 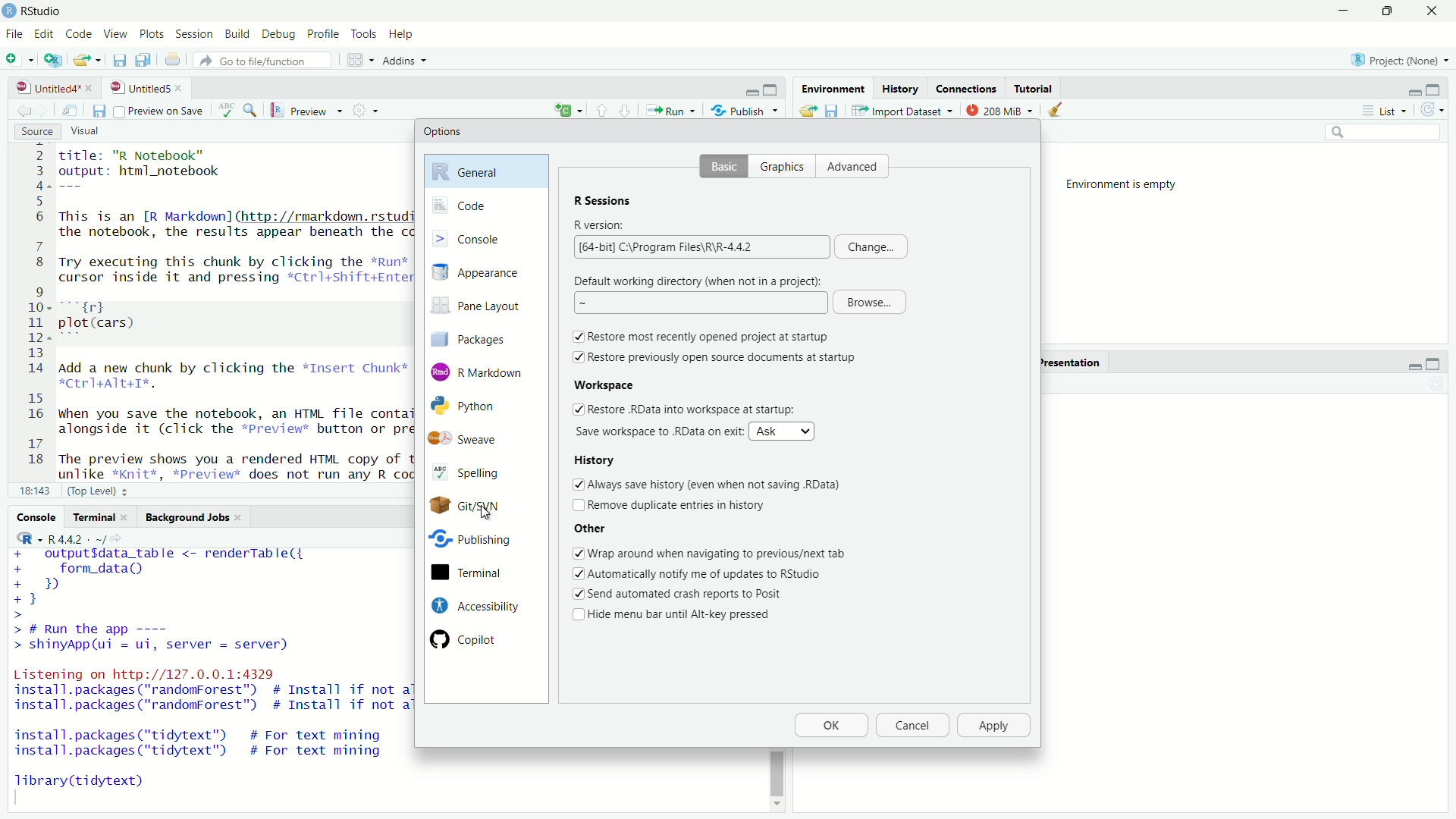 What do you see at coordinates (34, 490) in the screenshot?
I see `18:143` at bounding box center [34, 490].